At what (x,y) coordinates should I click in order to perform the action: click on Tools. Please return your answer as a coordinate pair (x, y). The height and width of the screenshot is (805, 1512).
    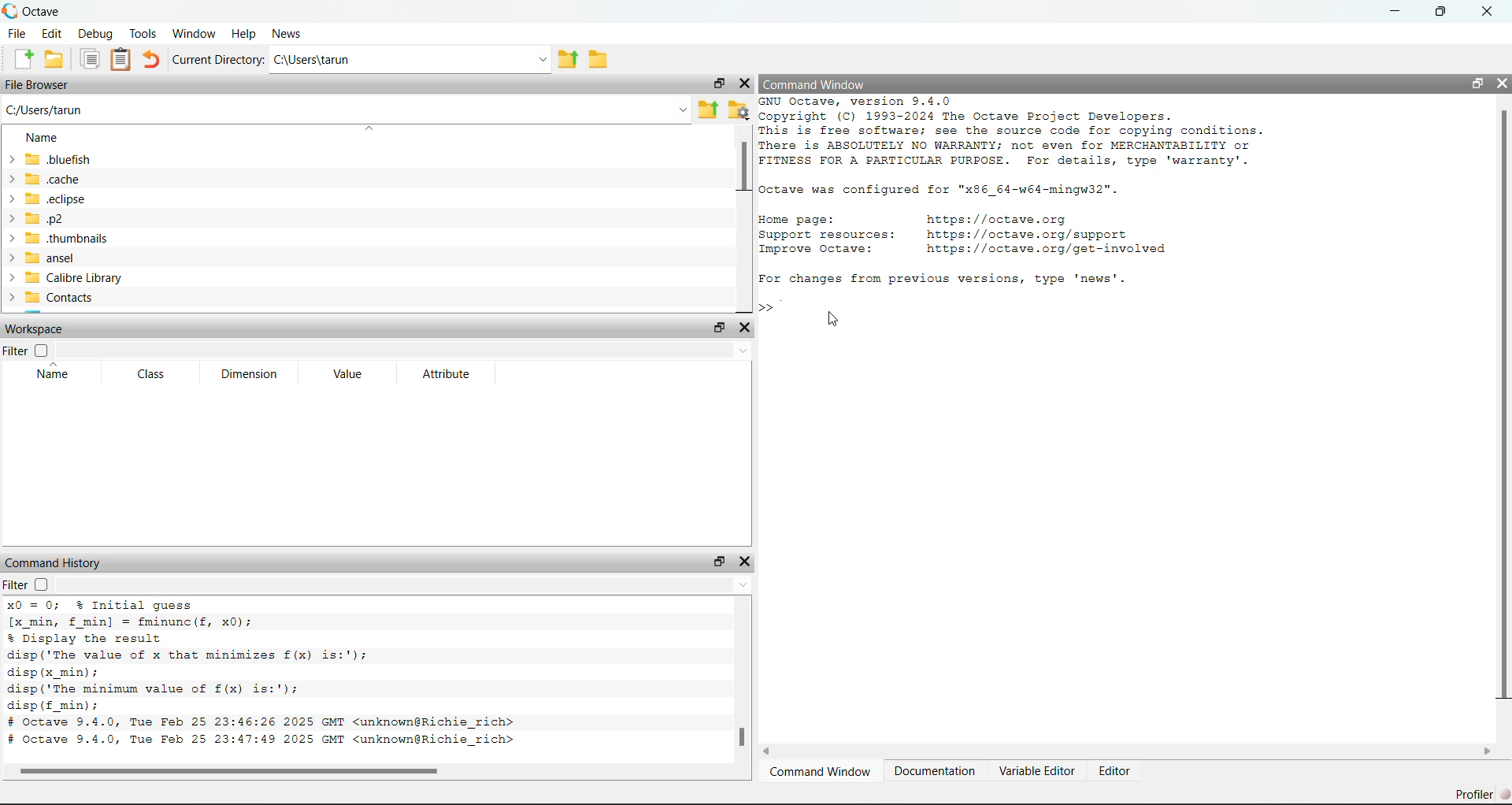
    Looking at the image, I should click on (141, 31).